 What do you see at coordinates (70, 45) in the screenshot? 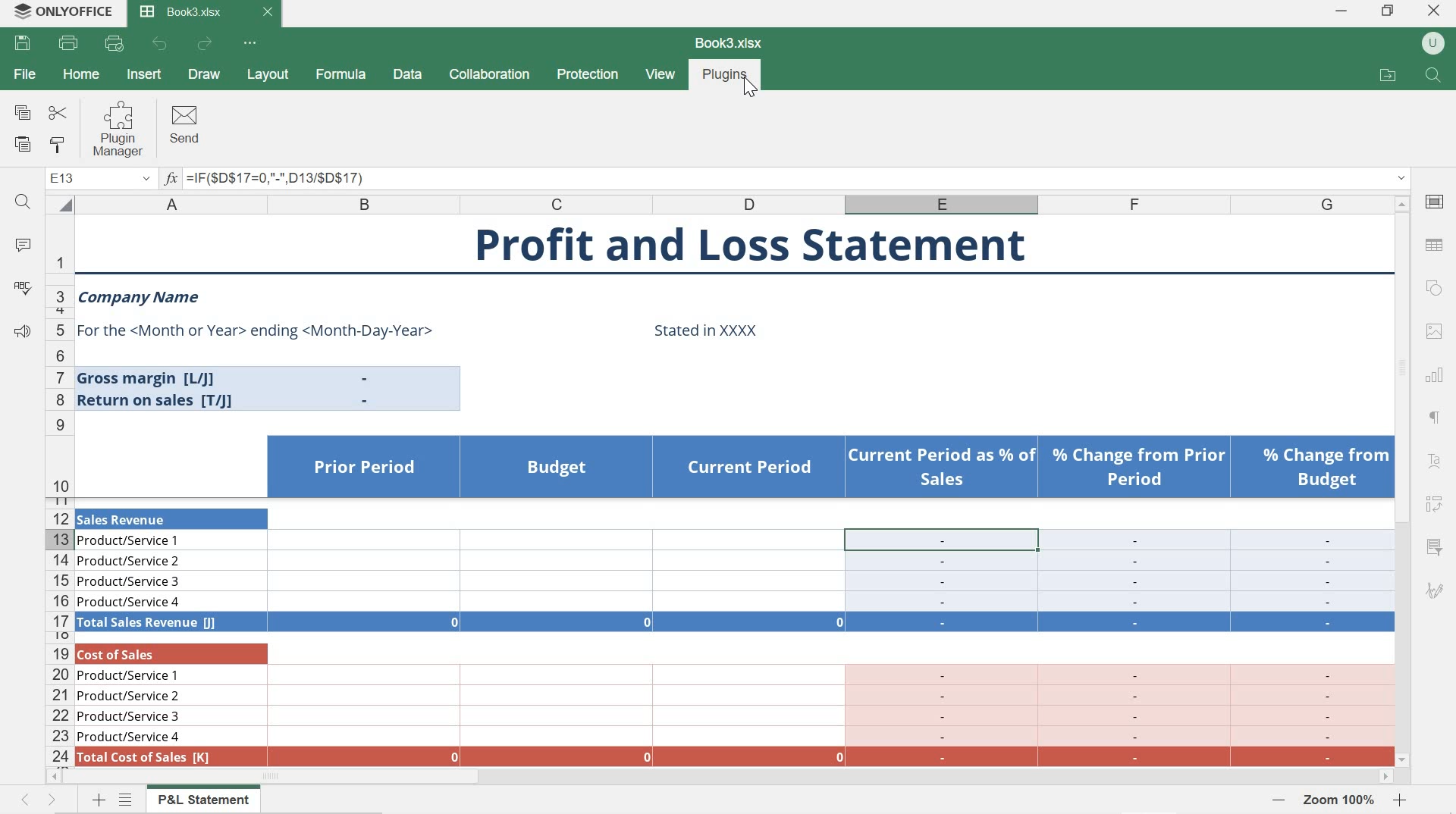
I see `print file` at bounding box center [70, 45].